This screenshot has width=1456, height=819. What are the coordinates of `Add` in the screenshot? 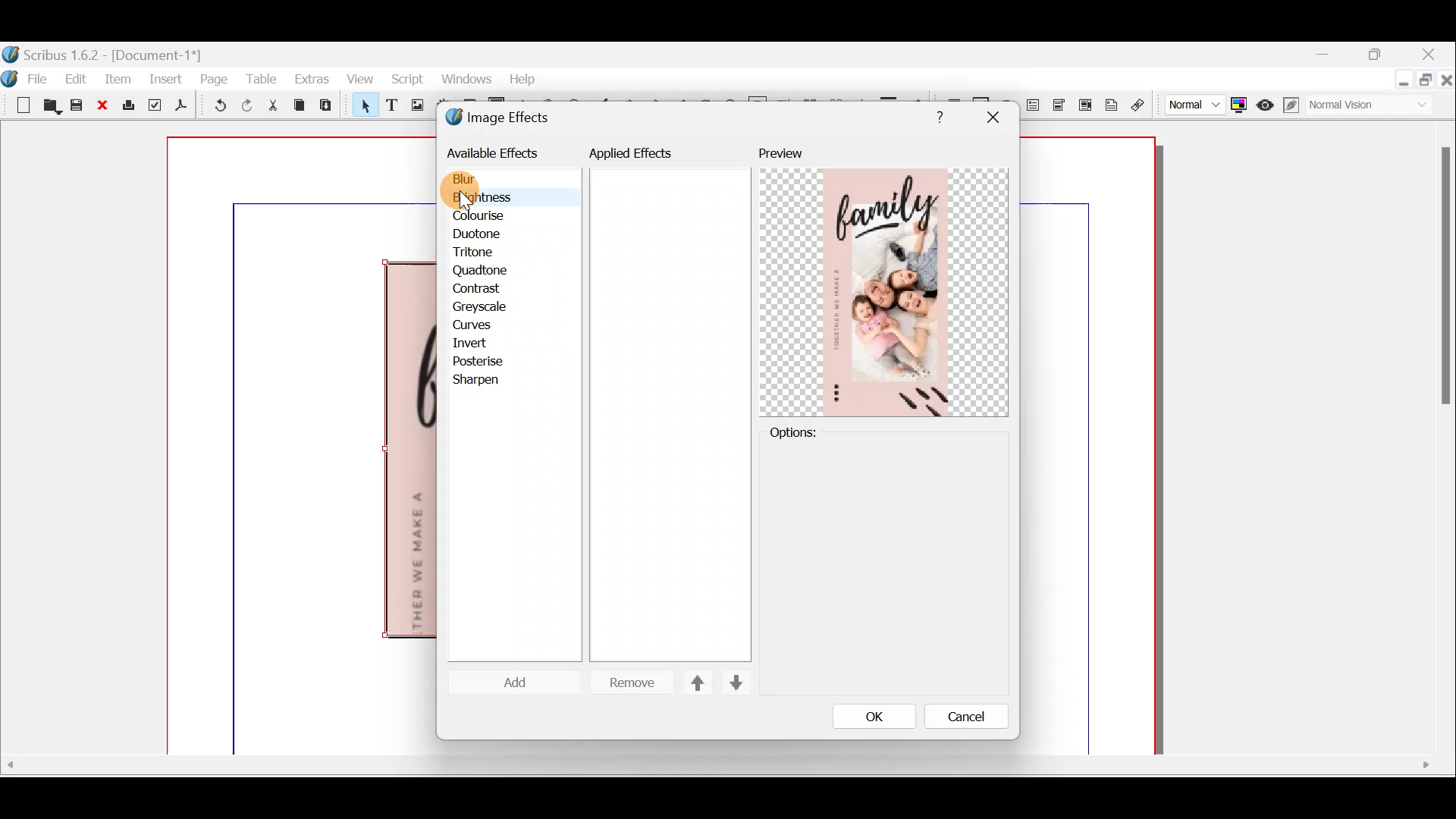 It's located at (521, 684).